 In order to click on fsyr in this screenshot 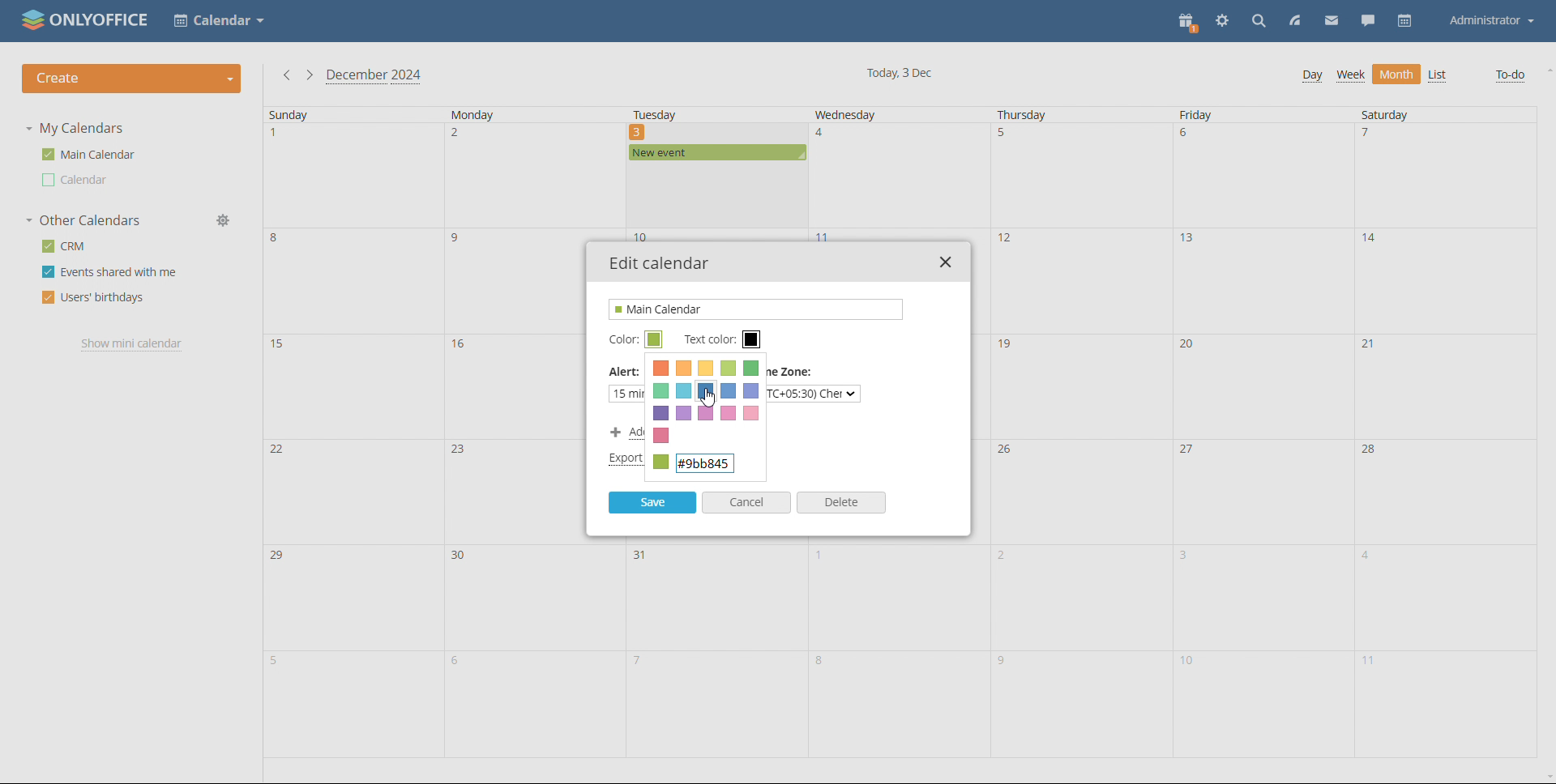, I will do `click(1078, 707)`.